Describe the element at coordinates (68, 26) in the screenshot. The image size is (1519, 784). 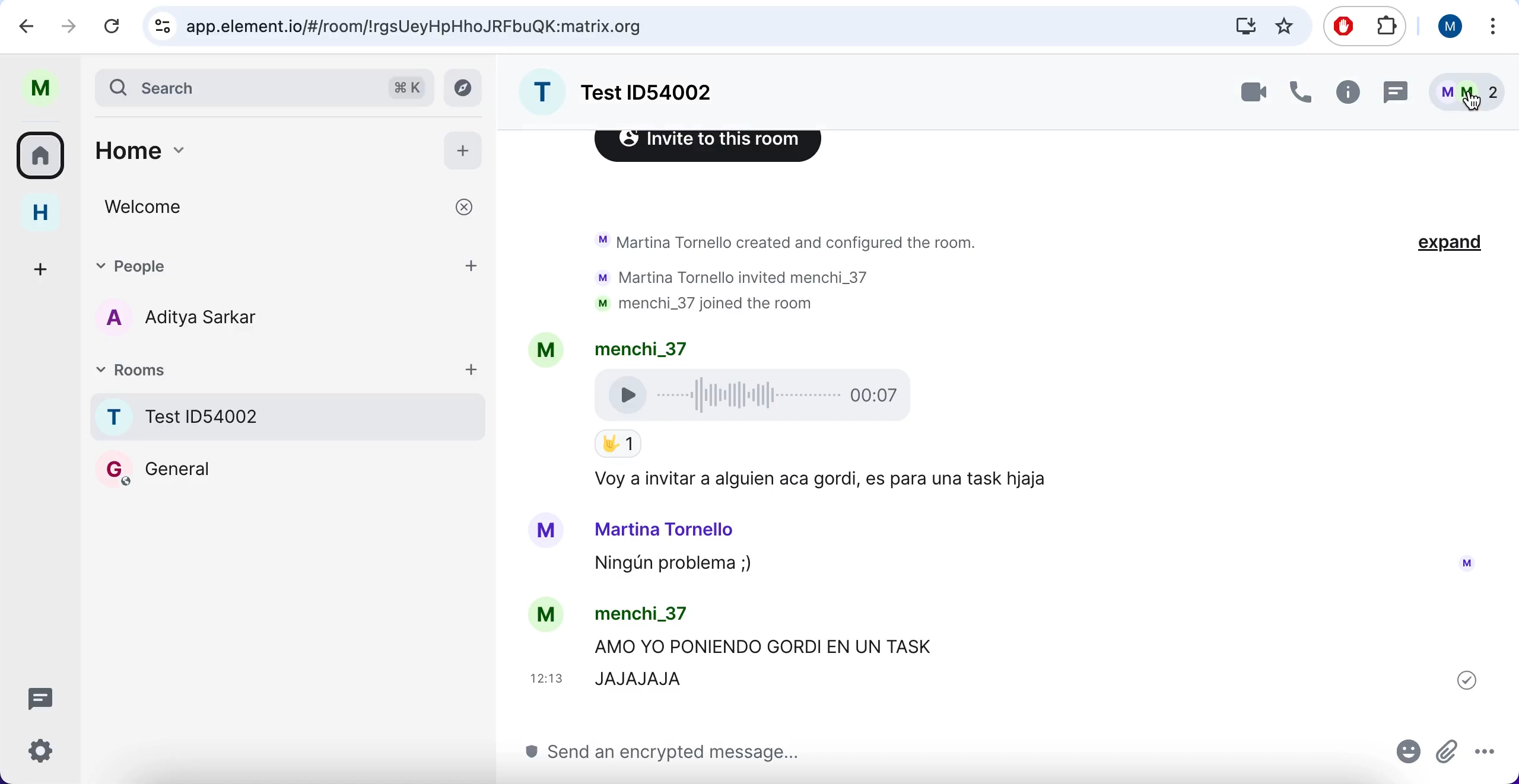
I see `redo` at that location.